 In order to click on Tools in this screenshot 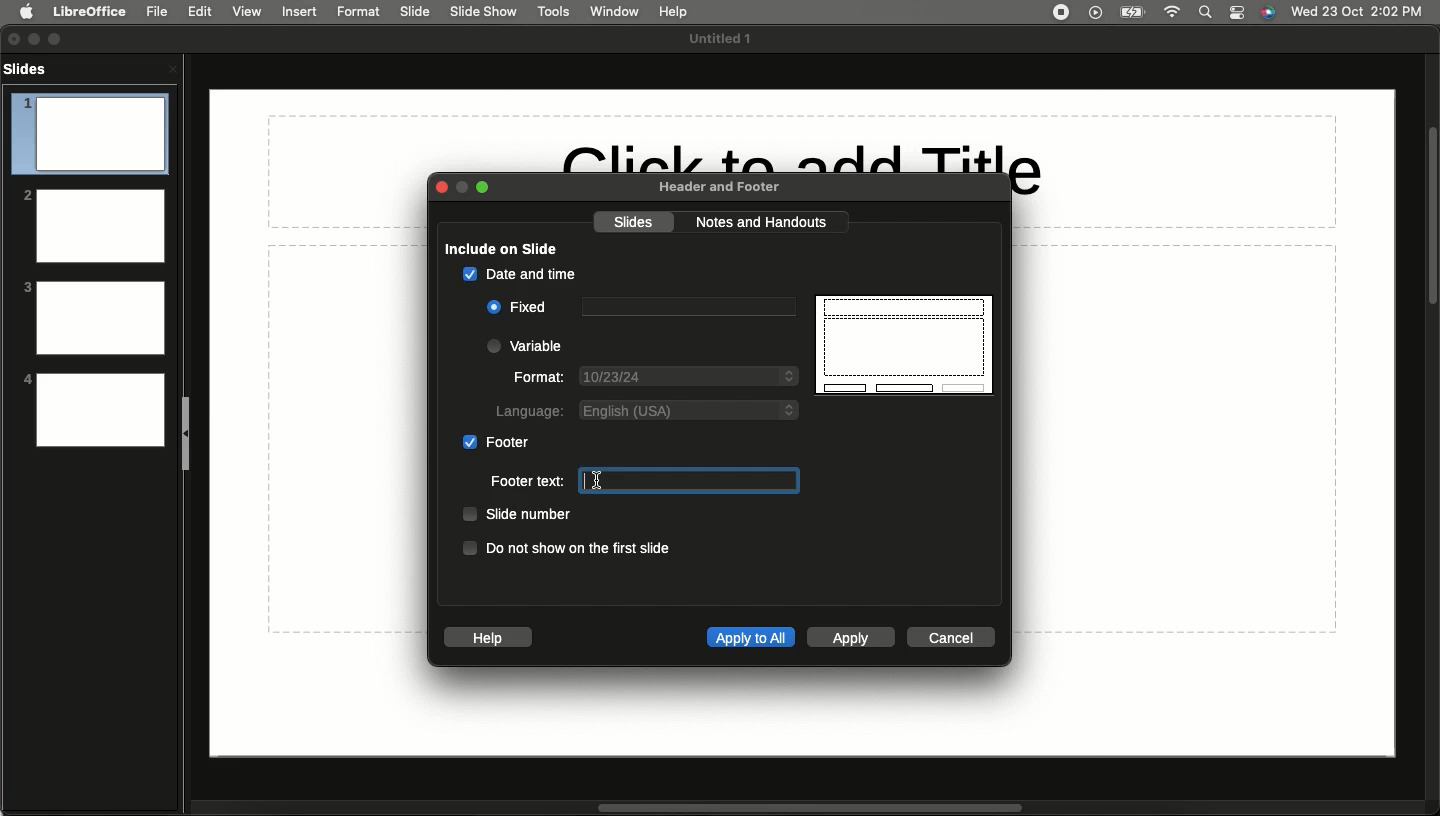, I will do `click(553, 12)`.